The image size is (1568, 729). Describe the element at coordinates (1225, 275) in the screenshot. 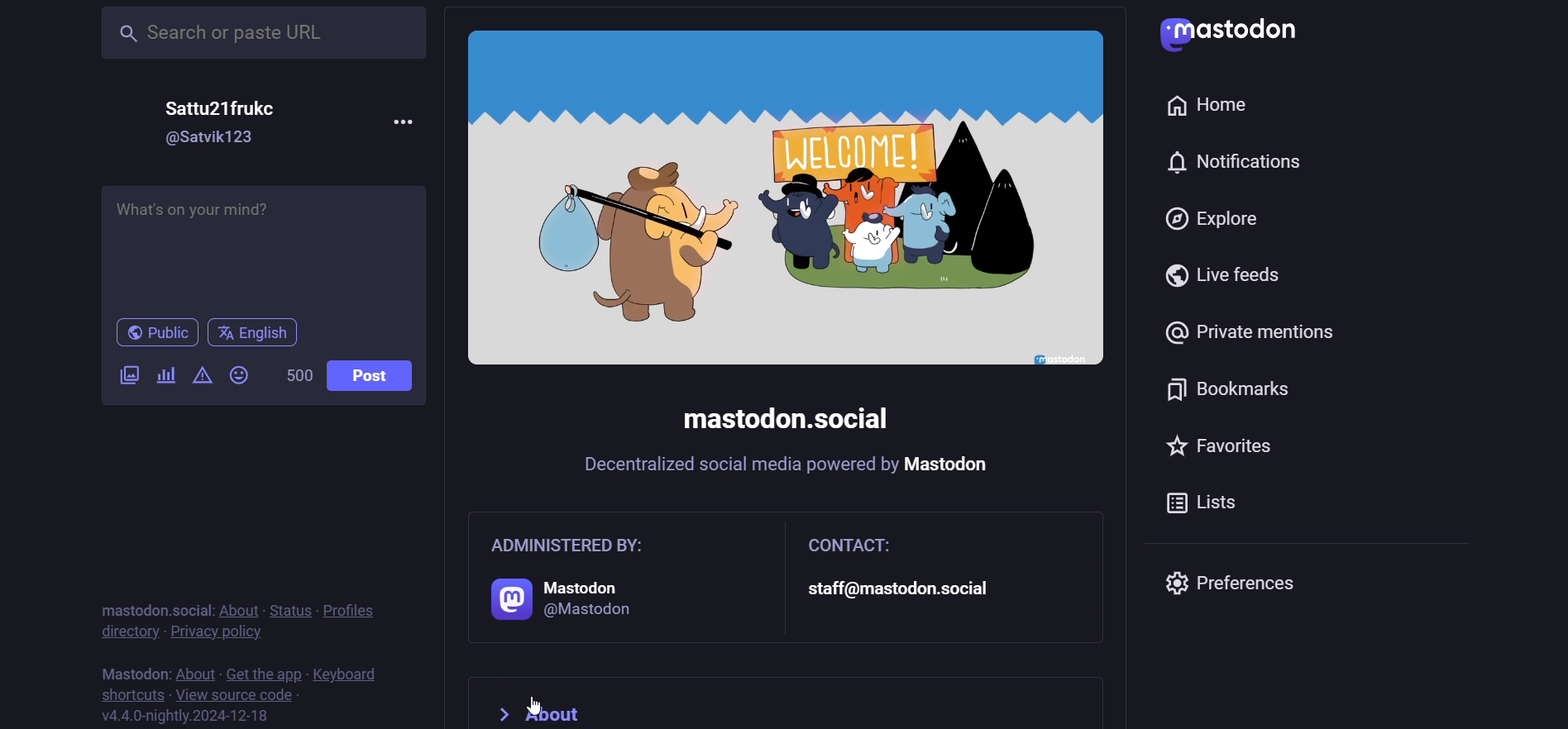

I see `live feed` at that location.